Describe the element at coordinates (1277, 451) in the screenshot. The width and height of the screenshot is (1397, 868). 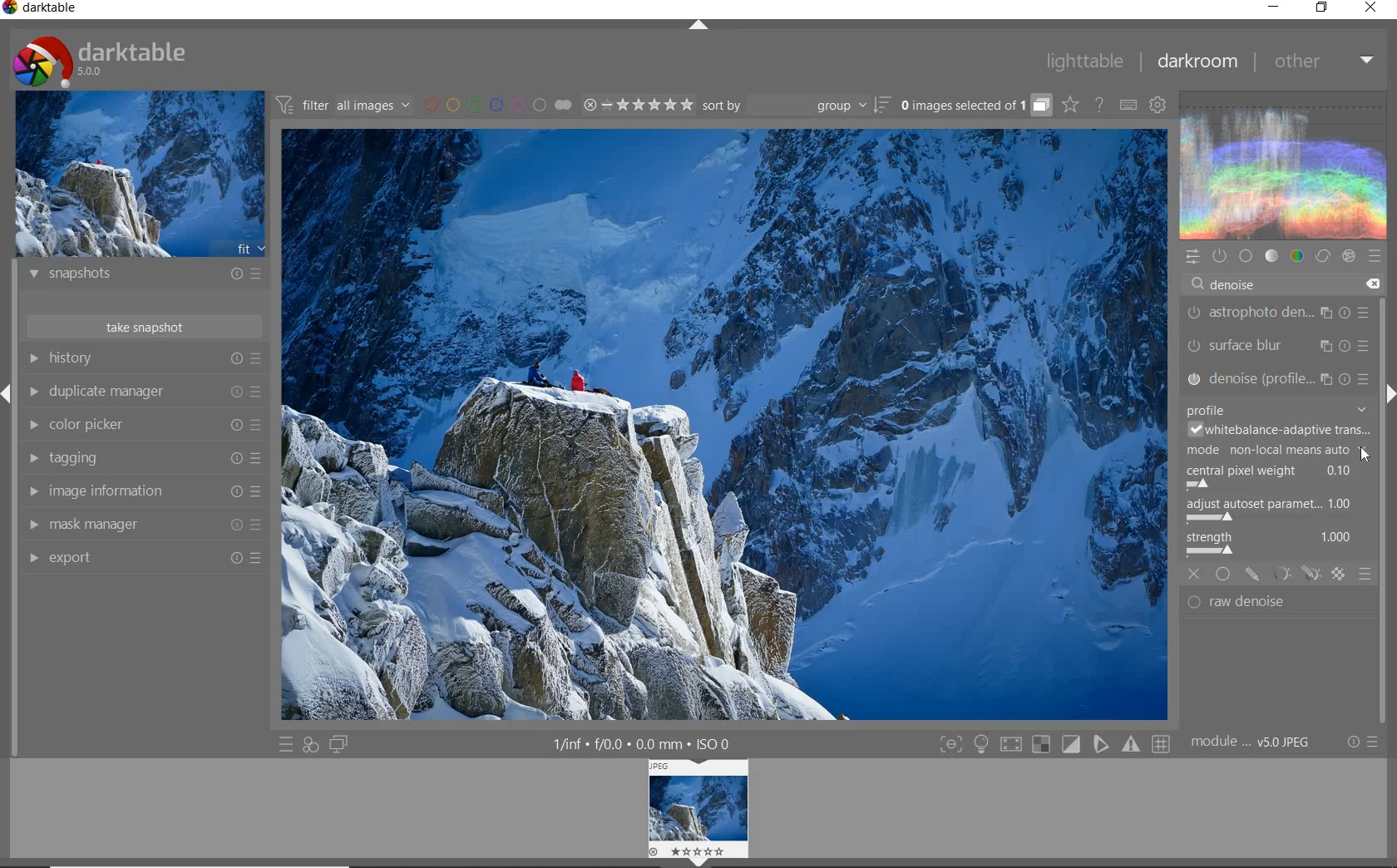
I see `mode` at that location.